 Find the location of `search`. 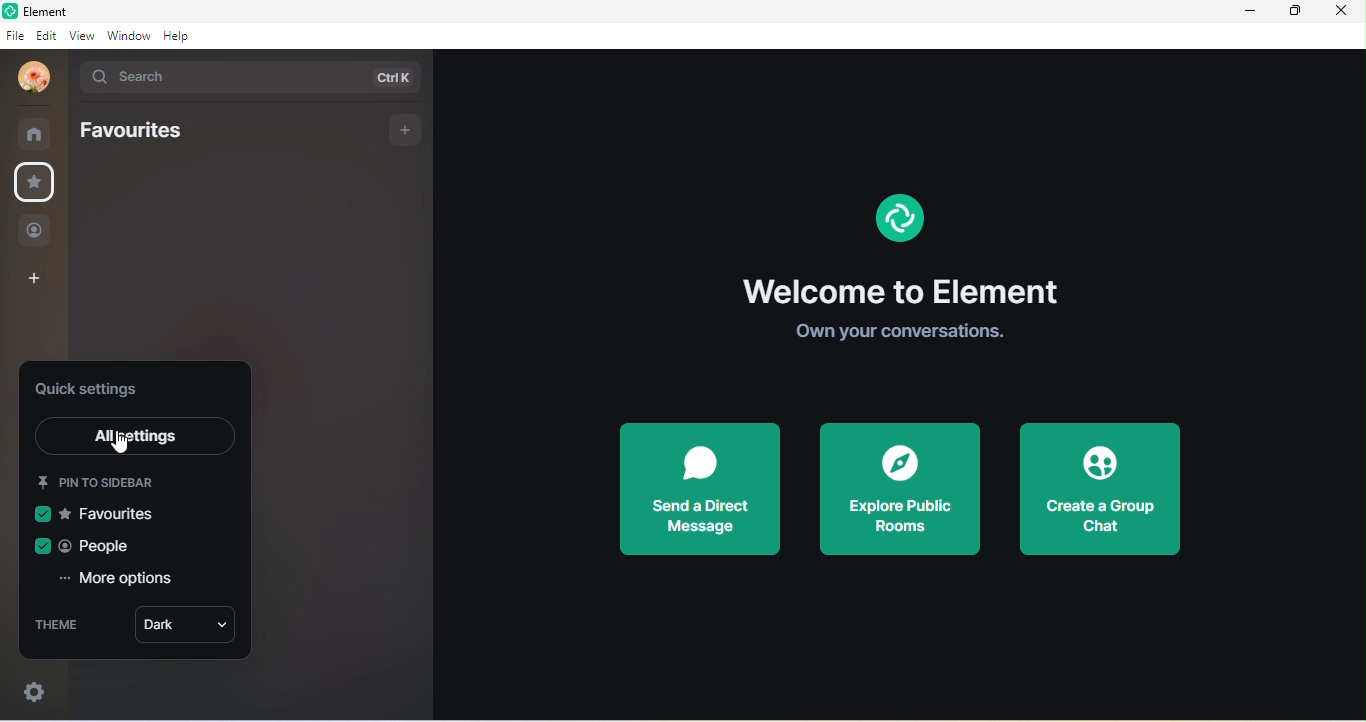

search is located at coordinates (255, 78).